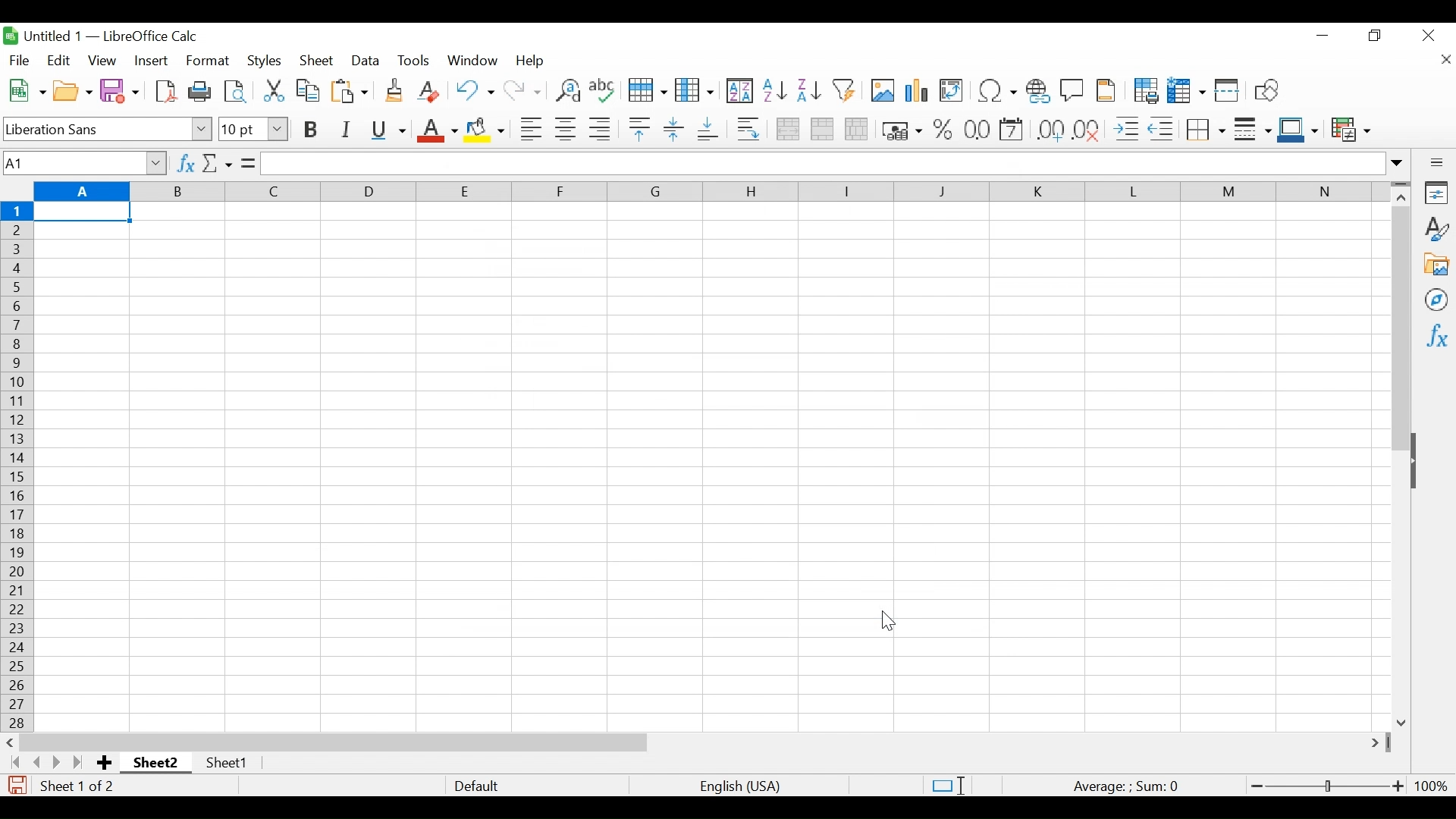 This screenshot has height=819, width=1456. What do you see at coordinates (857, 130) in the screenshot?
I see `Unmerge cells` at bounding box center [857, 130].